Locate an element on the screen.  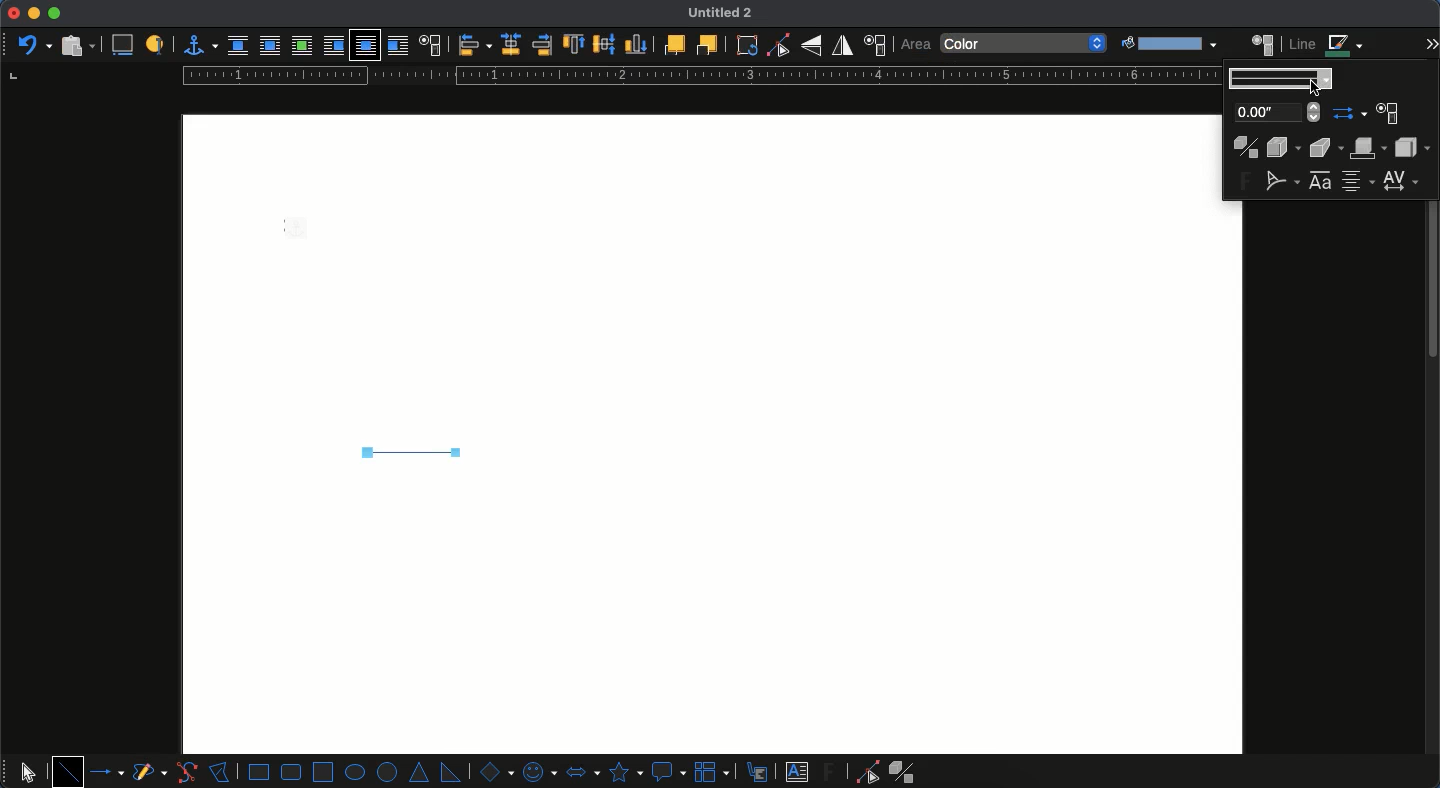
fontwork character spacing is located at coordinates (1399, 180).